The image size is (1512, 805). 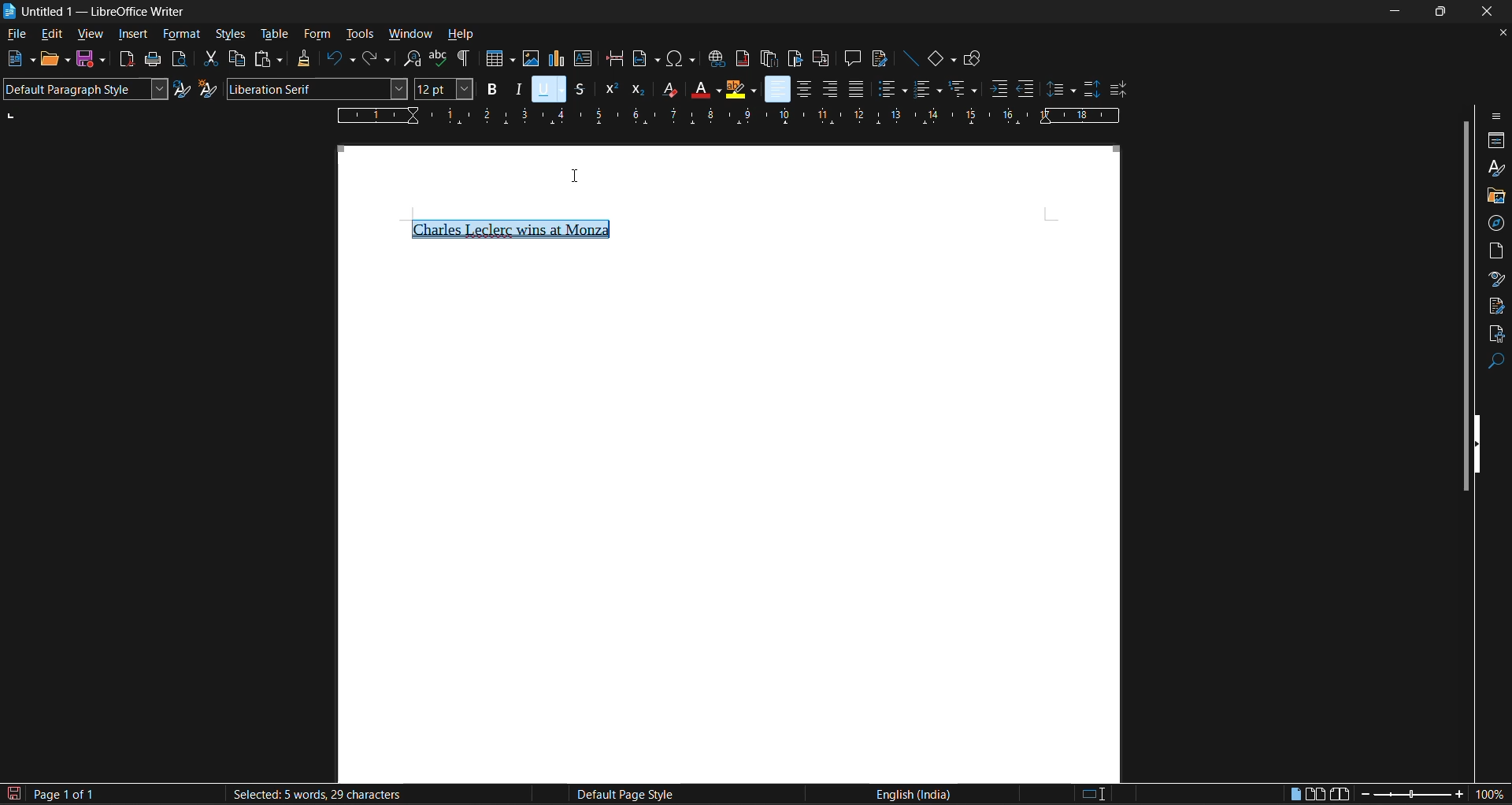 I want to click on basic shapes, so click(x=943, y=59).